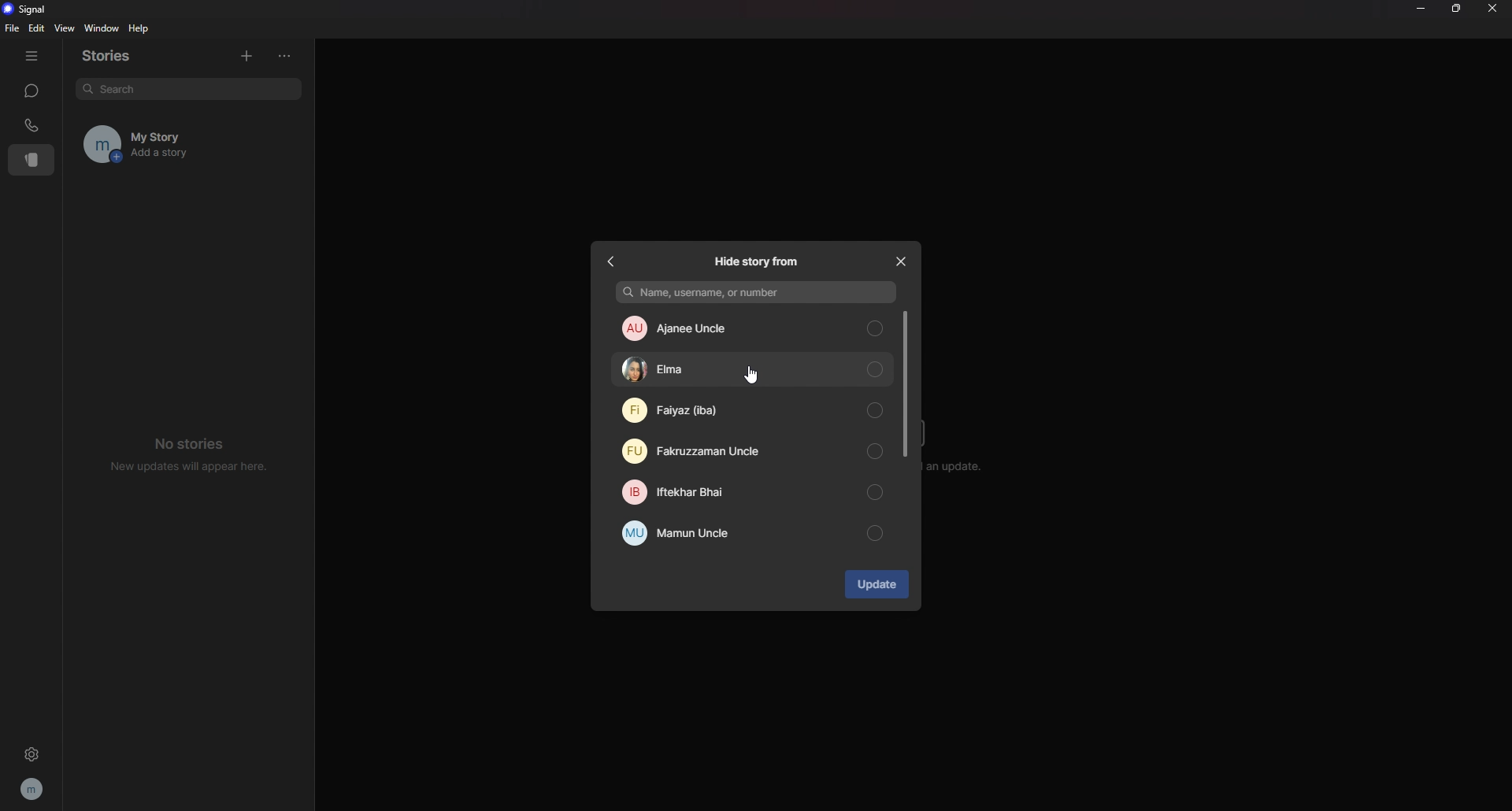 The height and width of the screenshot is (811, 1512). I want to click on back, so click(614, 260).